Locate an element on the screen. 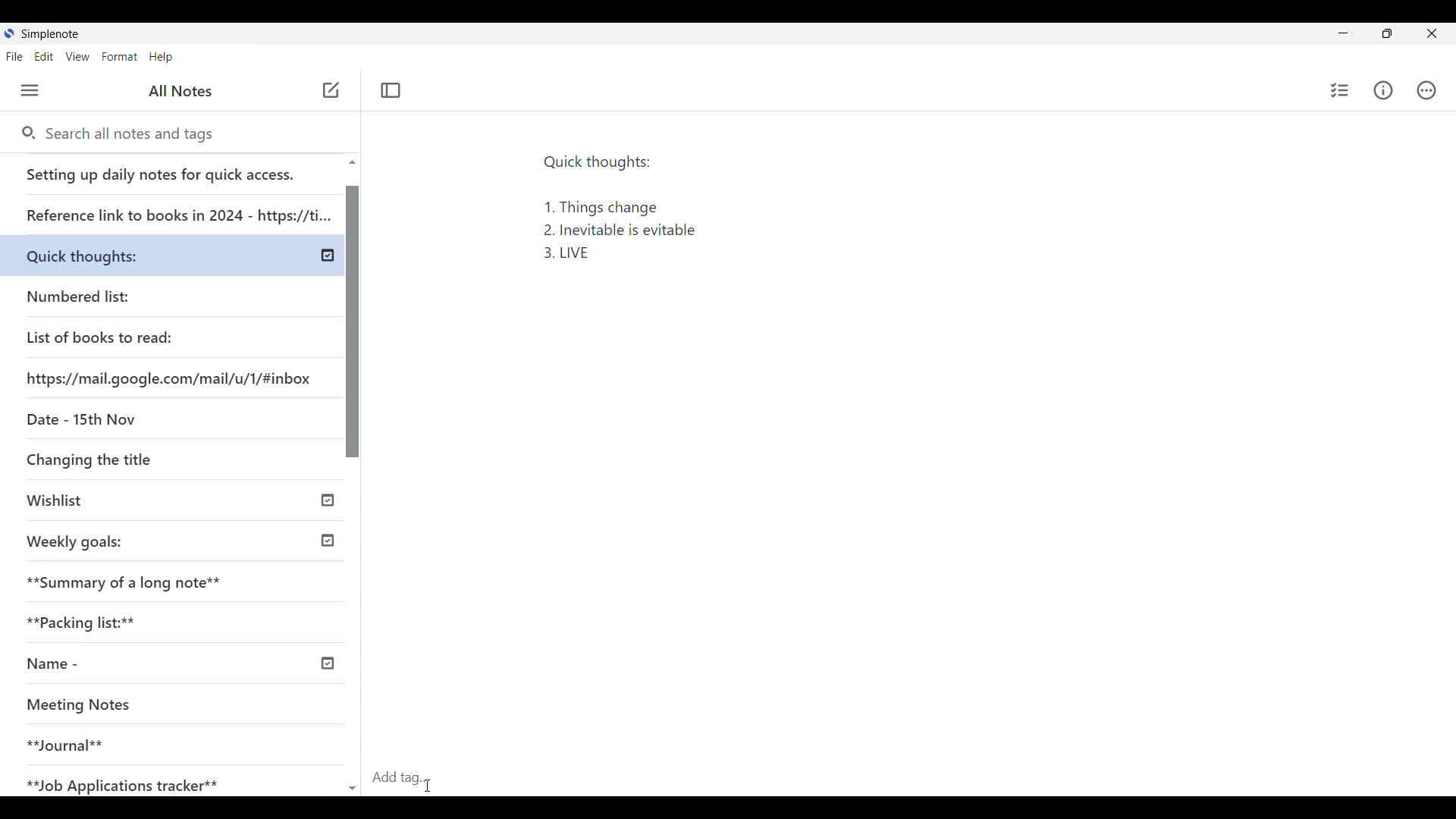 Image resolution: width=1456 pixels, height=819 pixels. Numbered list is located at coordinates (121, 293).